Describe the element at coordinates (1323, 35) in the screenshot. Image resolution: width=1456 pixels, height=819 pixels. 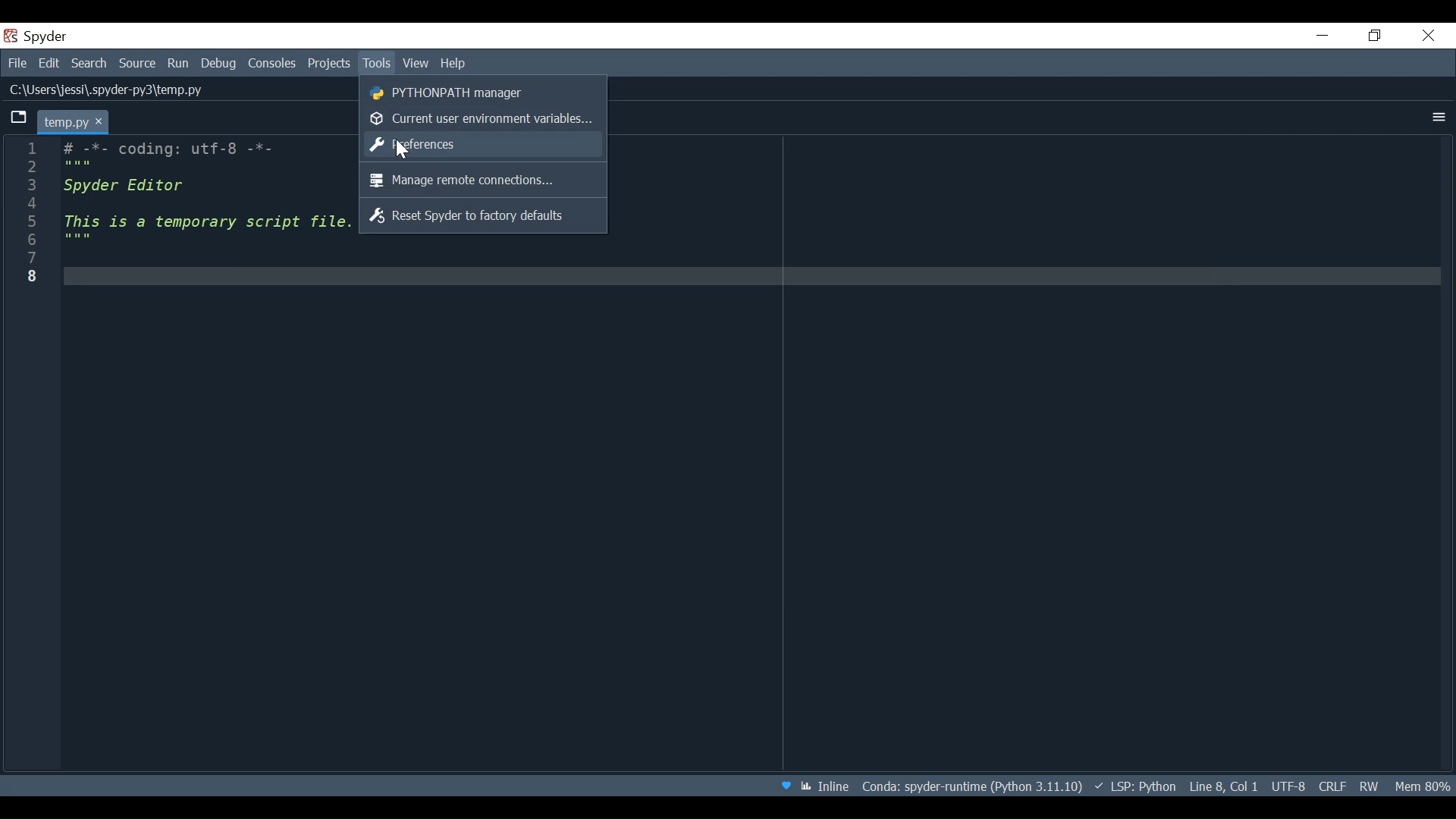
I see `Minimize` at that location.